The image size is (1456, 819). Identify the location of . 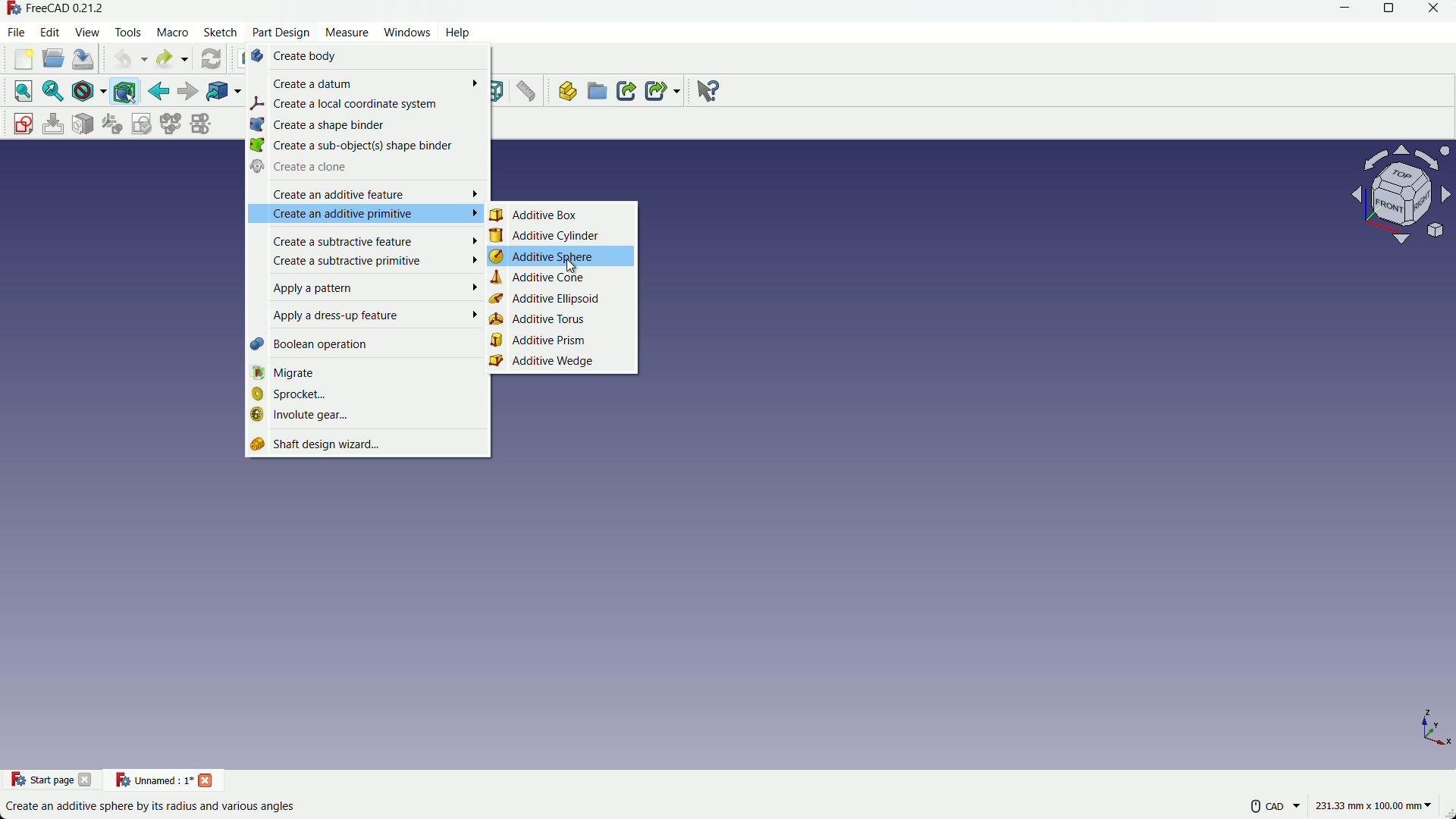
(721, 91).